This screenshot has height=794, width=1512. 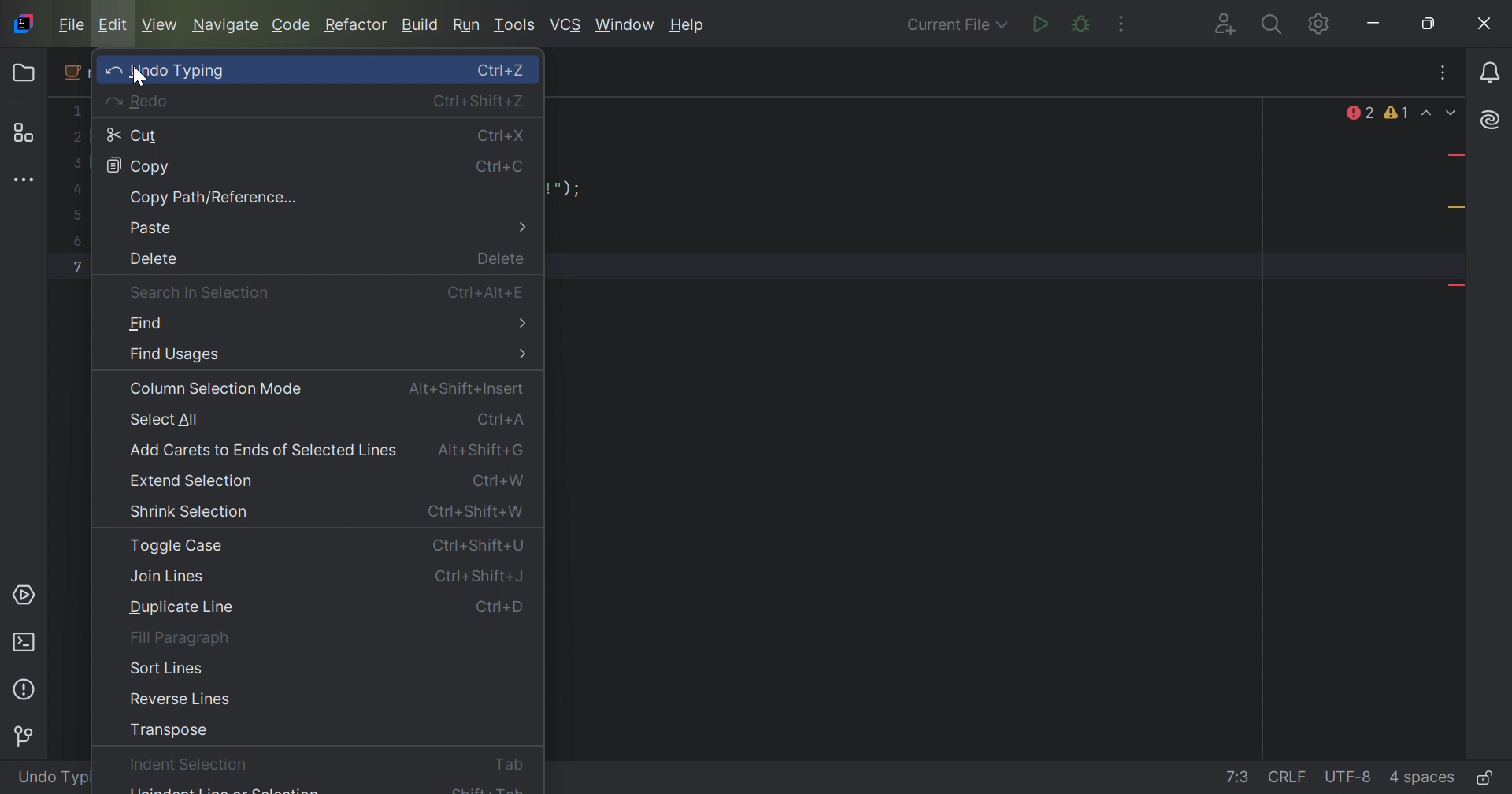 I want to click on 2 errors, 1 warnings, so click(x=1378, y=113).